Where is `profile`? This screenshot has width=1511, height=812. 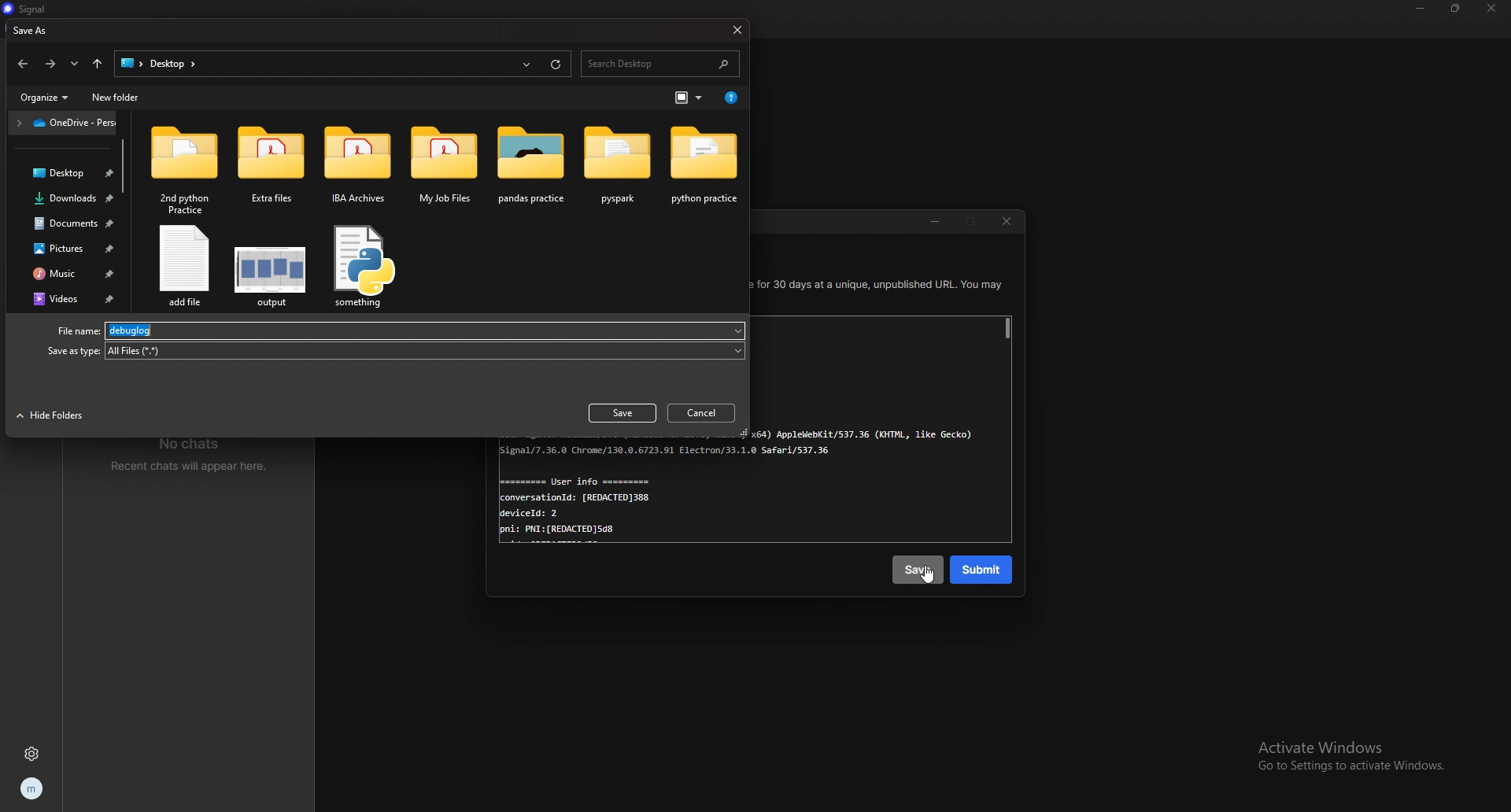
profile is located at coordinates (30, 787).